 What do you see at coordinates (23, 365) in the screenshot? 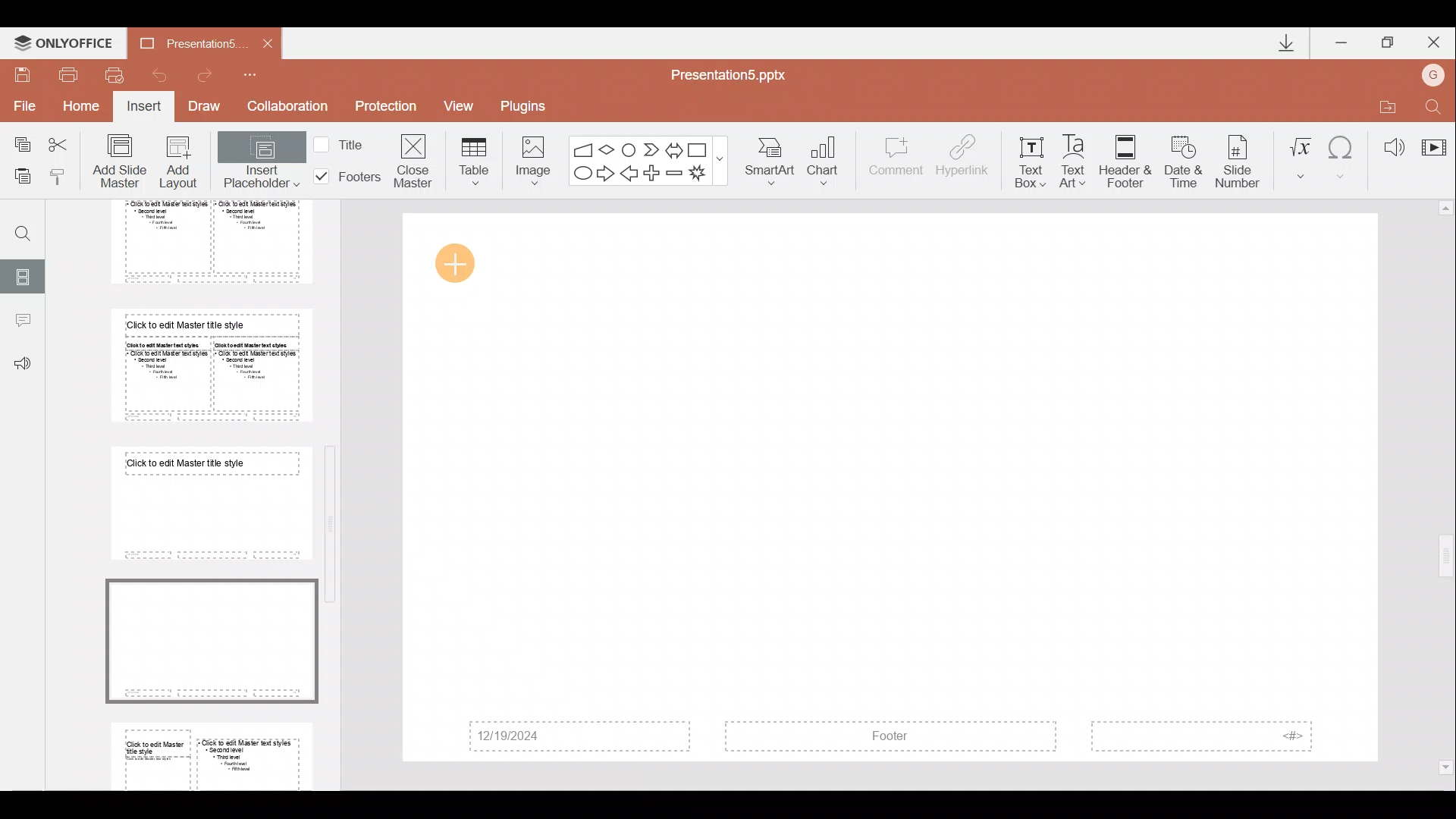
I see `Feedback & support` at bounding box center [23, 365].